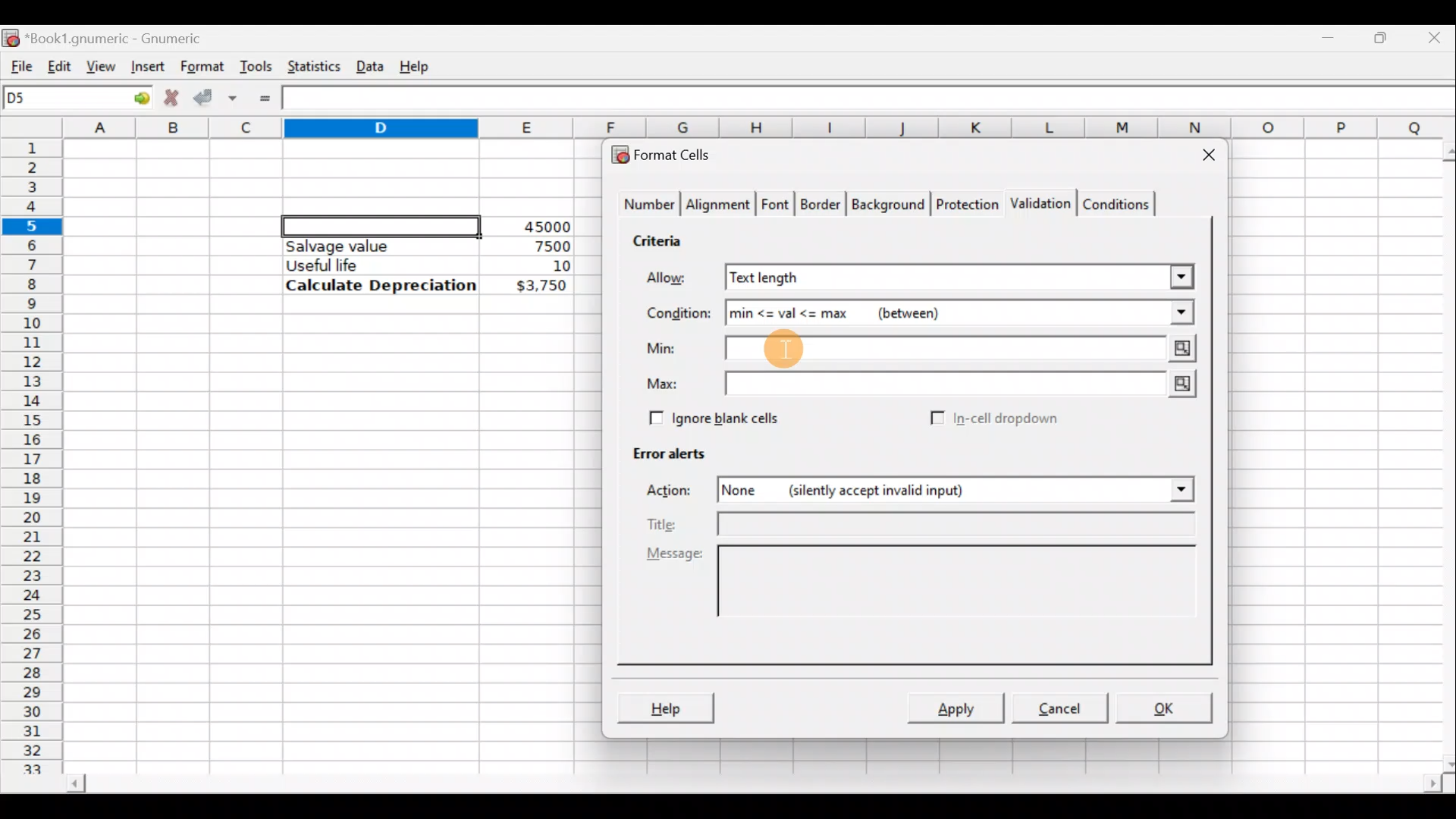 Image resolution: width=1456 pixels, height=819 pixels. What do you see at coordinates (783, 347) in the screenshot?
I see `Cursor` at bounding box center [783, 347].